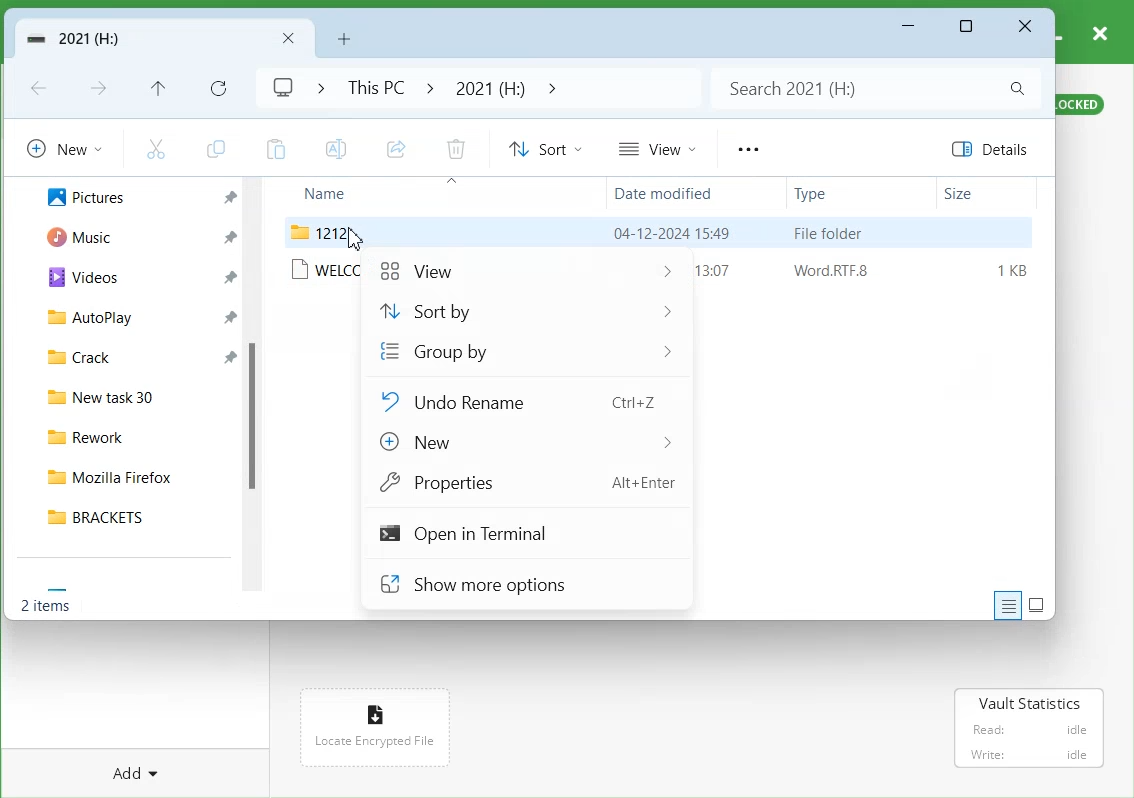 The width and height of the screenshot is (1134, 798). Describe the element at coordinates (229, 237) in the screenshot. I see `Pin a file` at that location.